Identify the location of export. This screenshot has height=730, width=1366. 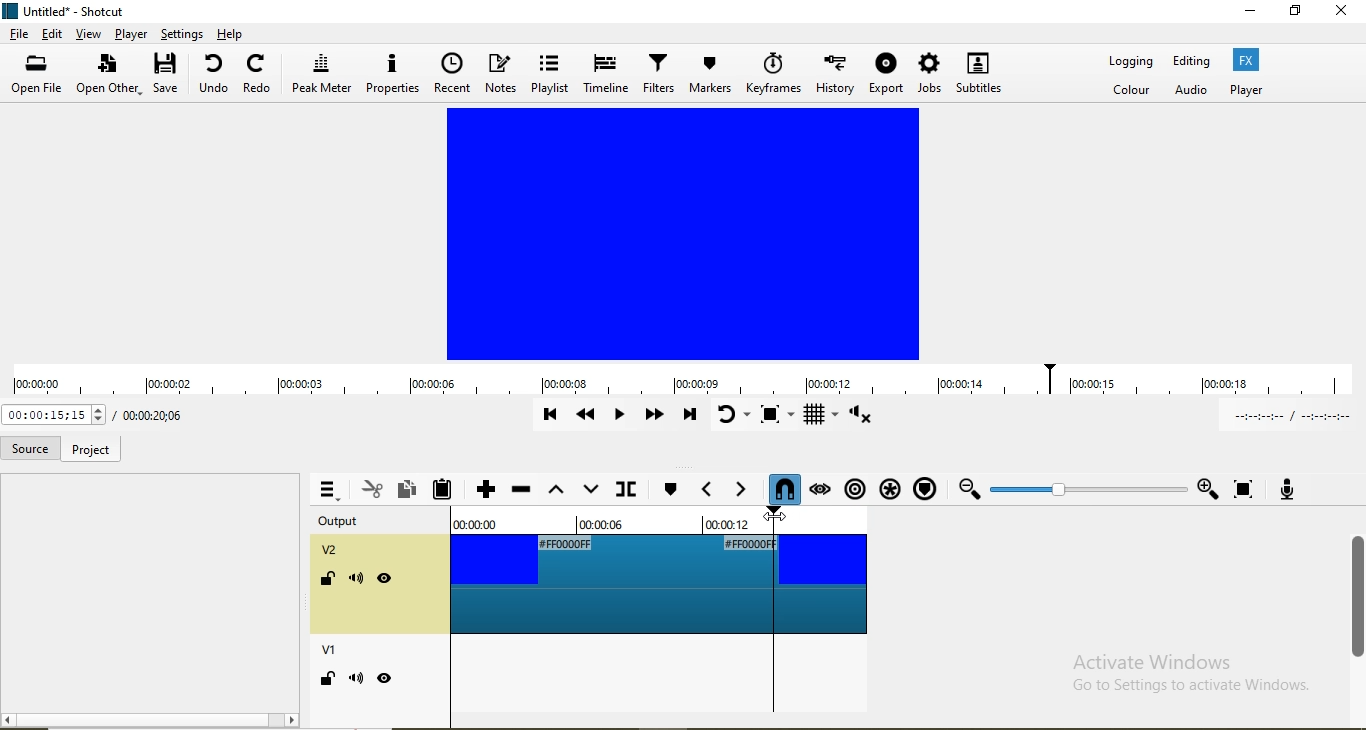
(887, 73).